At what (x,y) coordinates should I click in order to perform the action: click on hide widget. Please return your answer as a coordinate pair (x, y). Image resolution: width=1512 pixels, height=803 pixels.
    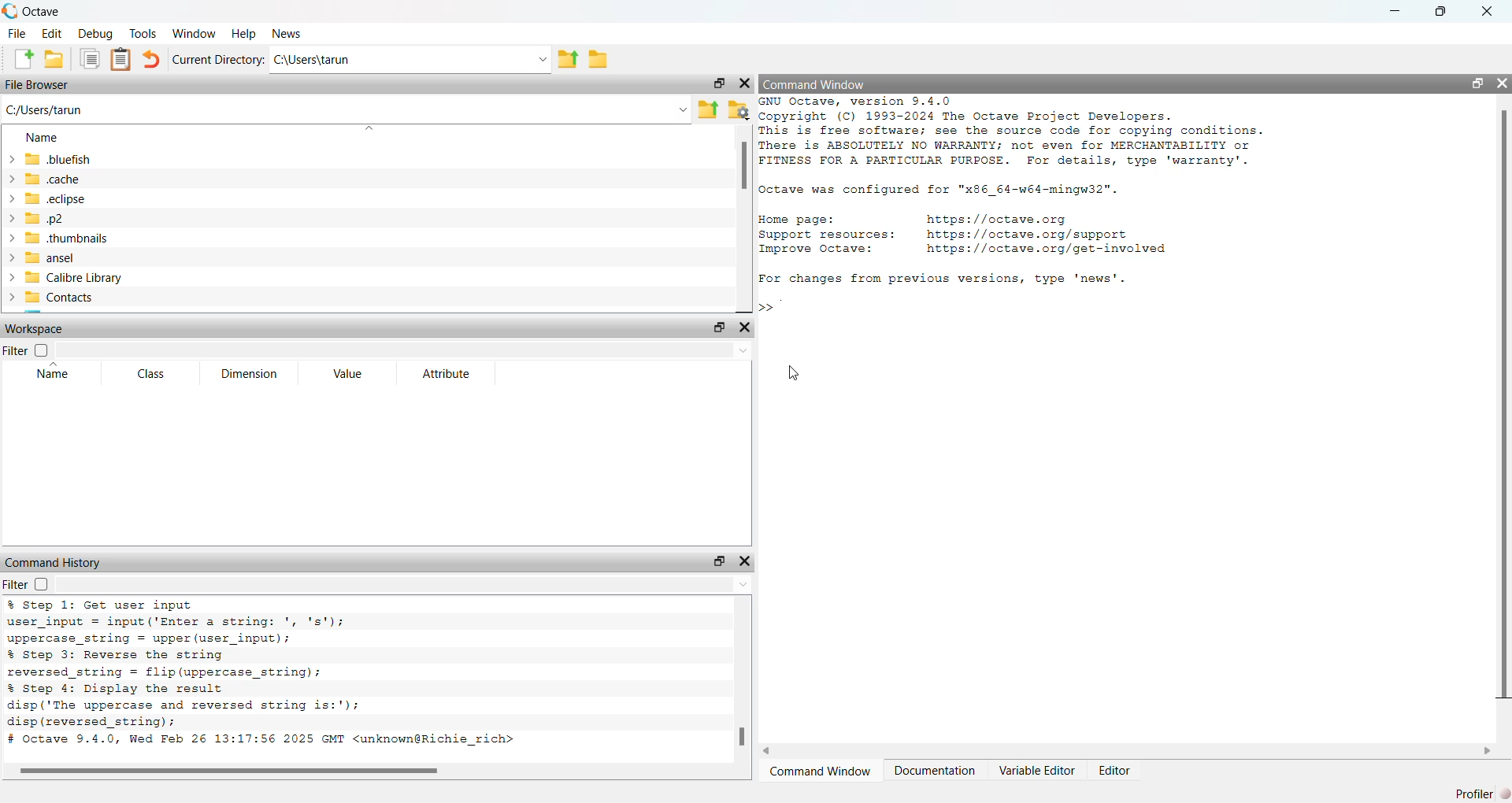
    Looking at the image, I should click on (744, 81).